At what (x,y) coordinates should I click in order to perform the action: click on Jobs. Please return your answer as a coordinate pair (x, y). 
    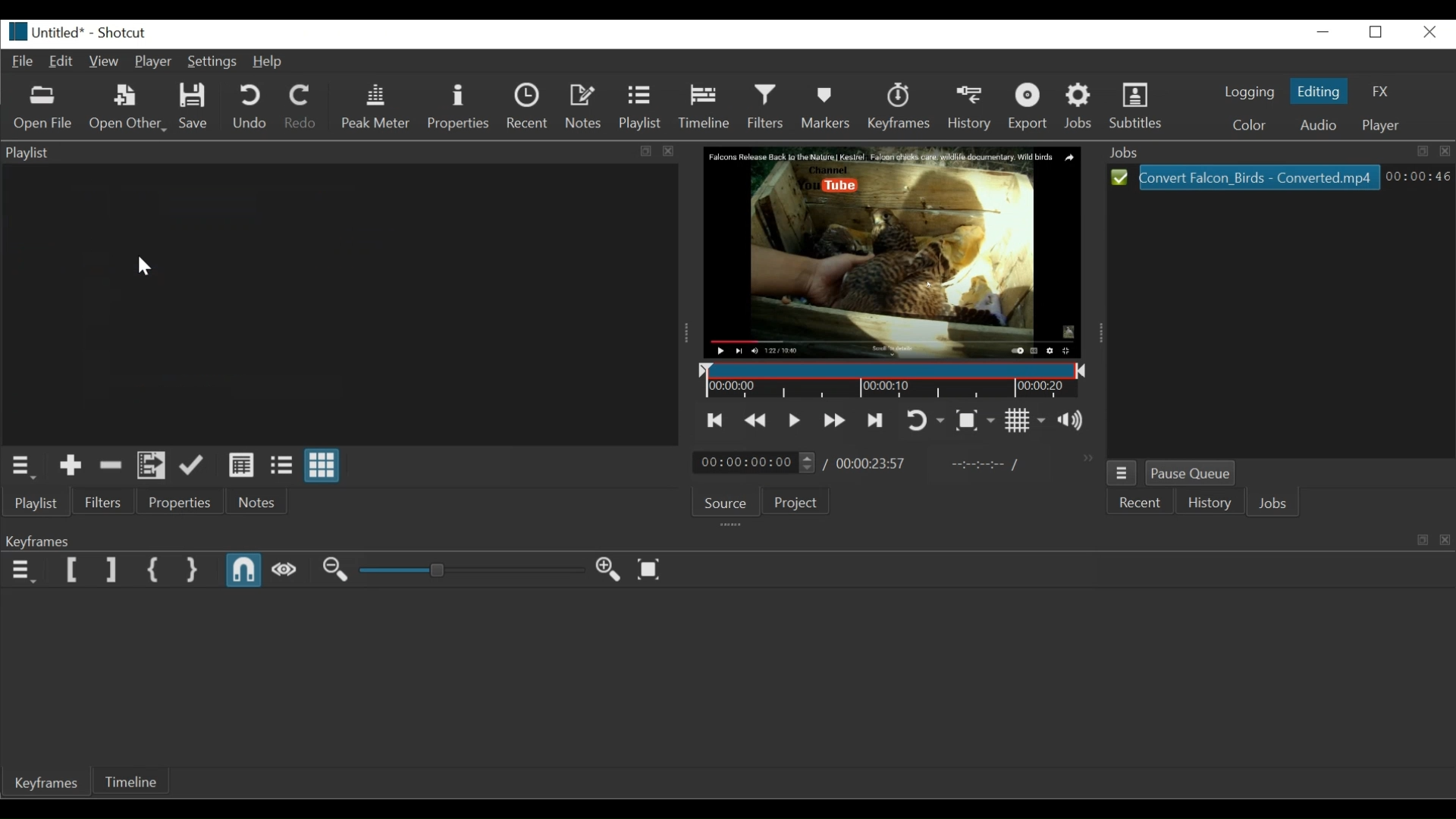
    Looking at the image, I should click on (1079, 108).